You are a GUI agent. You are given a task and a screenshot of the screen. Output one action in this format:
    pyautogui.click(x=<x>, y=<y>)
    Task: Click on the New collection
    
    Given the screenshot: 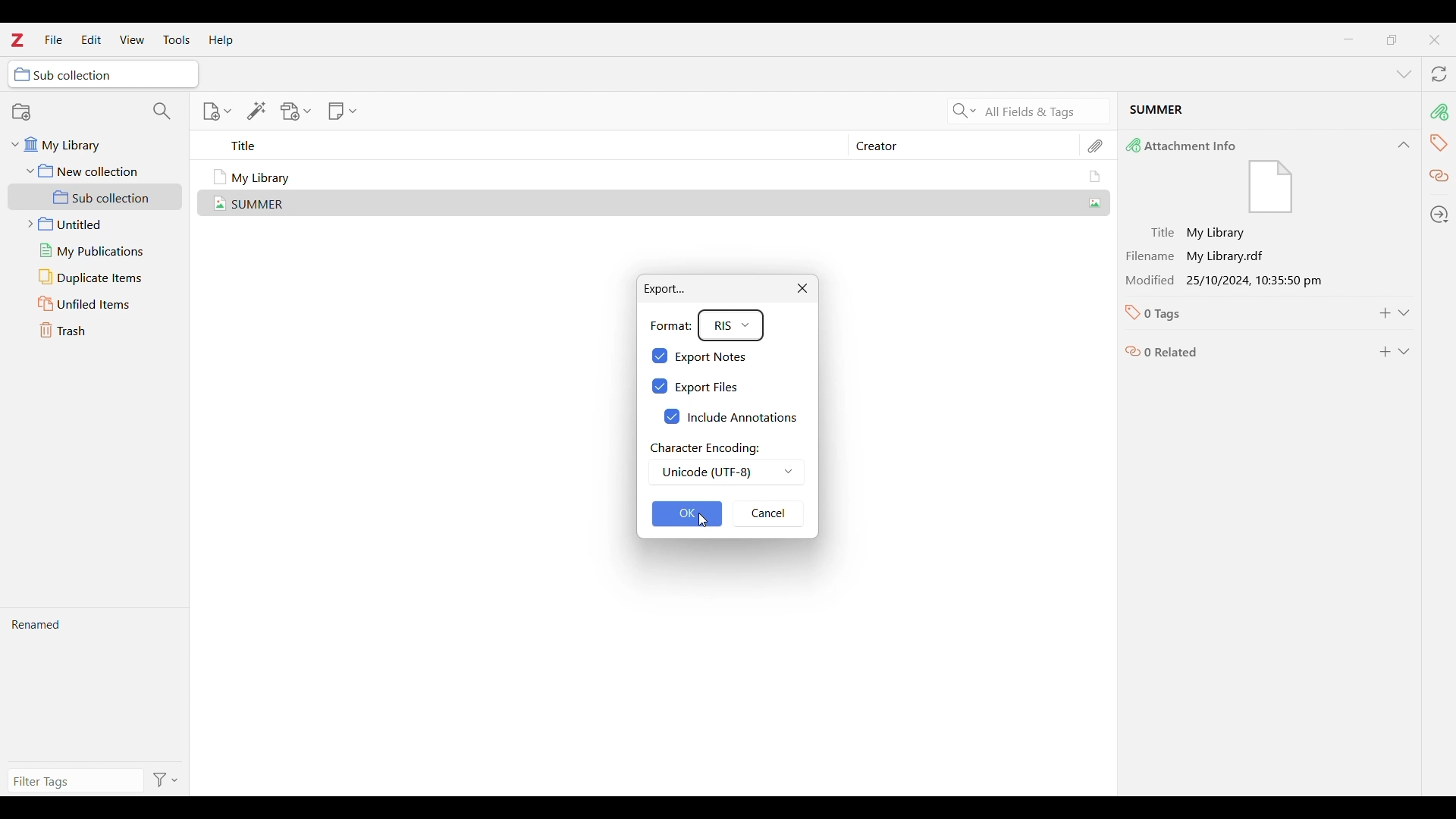 What is the action you would take?
    pyautogui.click(x=74, y=111)
    